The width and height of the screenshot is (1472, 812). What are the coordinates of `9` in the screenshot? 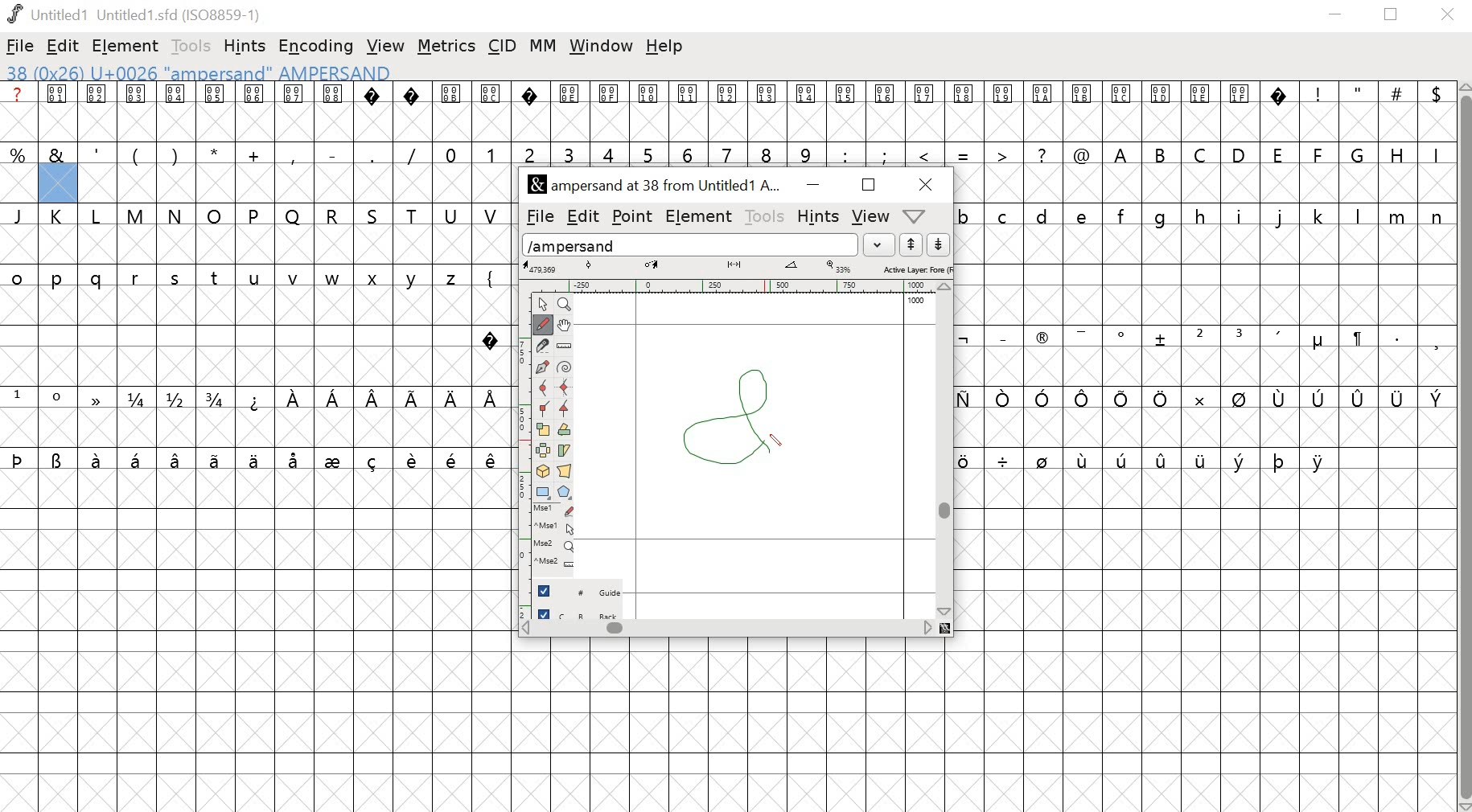 It's located at (805, 154).